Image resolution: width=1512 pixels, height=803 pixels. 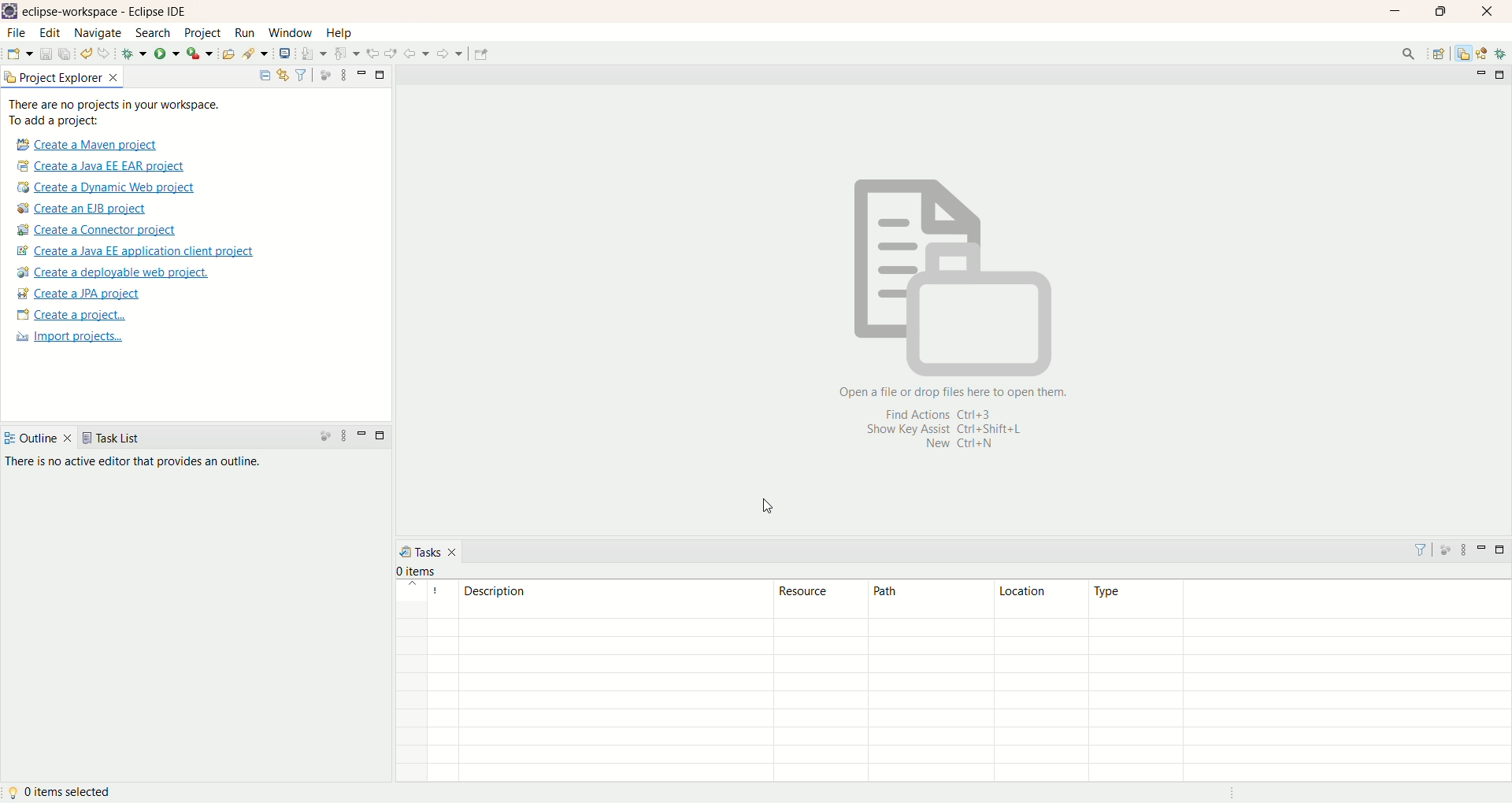 What do you see at coordinates (91, 143) in the screenshot?
I see `create a maven project` at bounding box center [91, 143].